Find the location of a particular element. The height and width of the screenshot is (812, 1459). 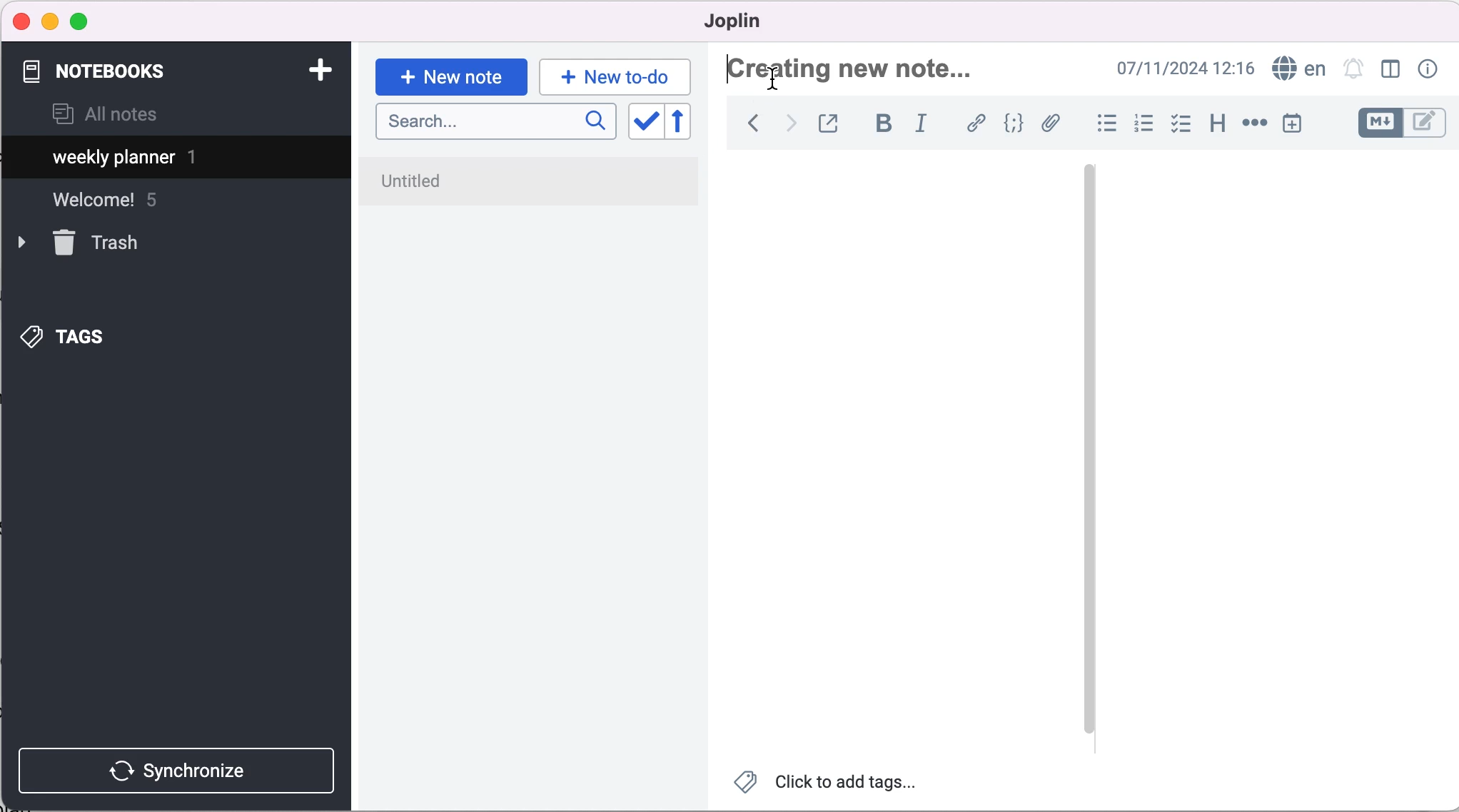

maximize is located at coordinates (82, 22).